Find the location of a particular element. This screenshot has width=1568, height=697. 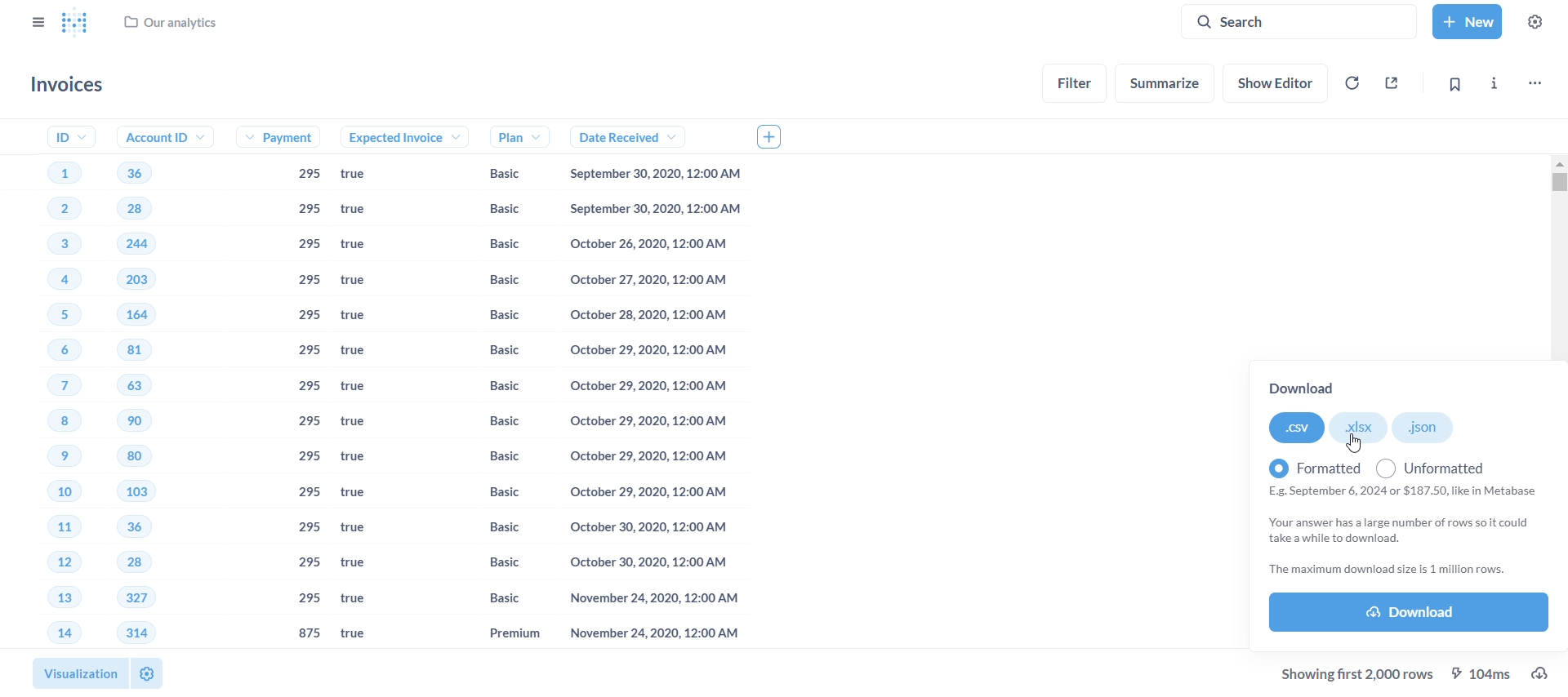

payment is located at coordinates (285, 139).